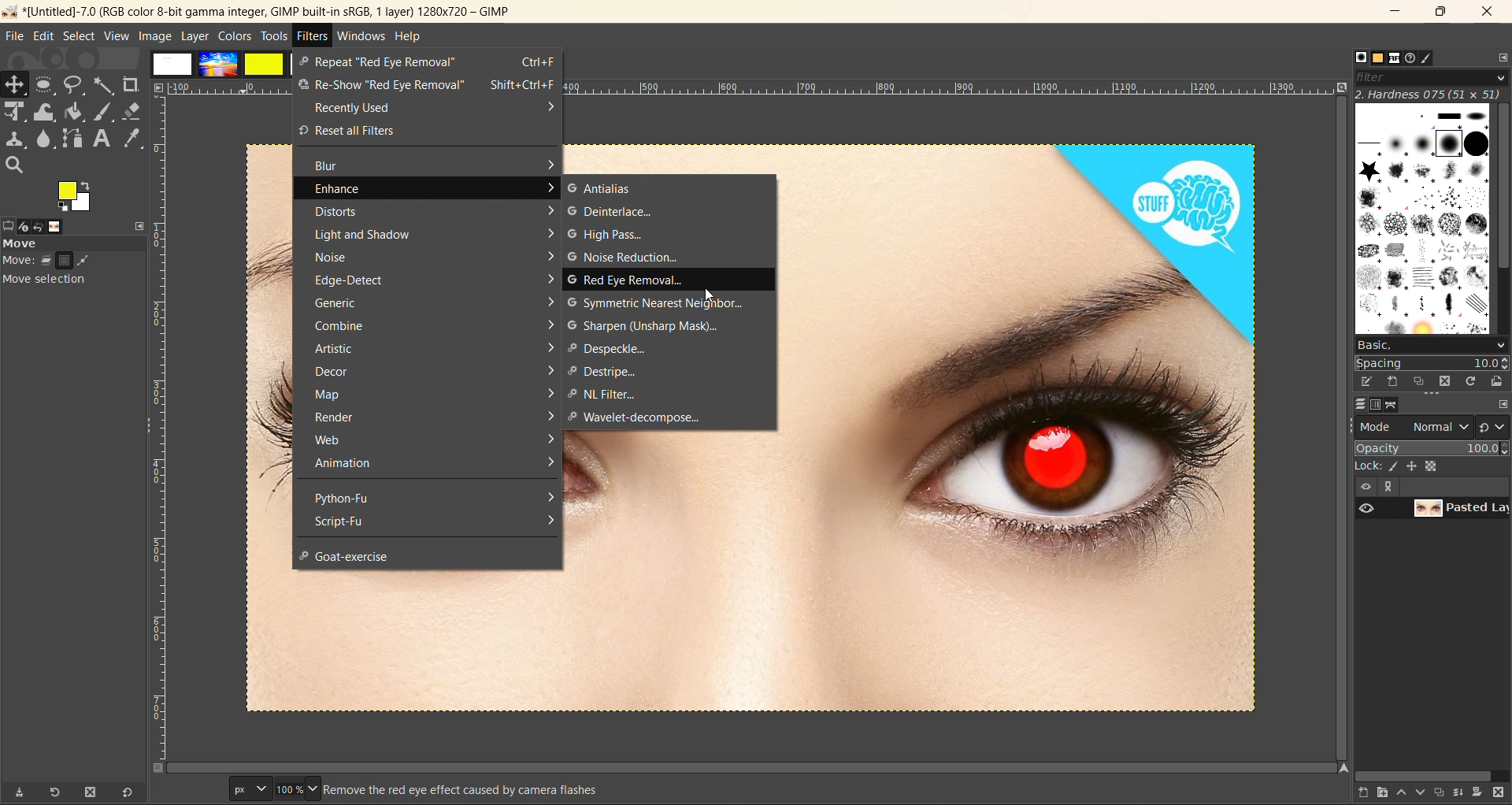 The height and width of the screenshot is (805, 1512). I want to click on images, so click(216, 65).